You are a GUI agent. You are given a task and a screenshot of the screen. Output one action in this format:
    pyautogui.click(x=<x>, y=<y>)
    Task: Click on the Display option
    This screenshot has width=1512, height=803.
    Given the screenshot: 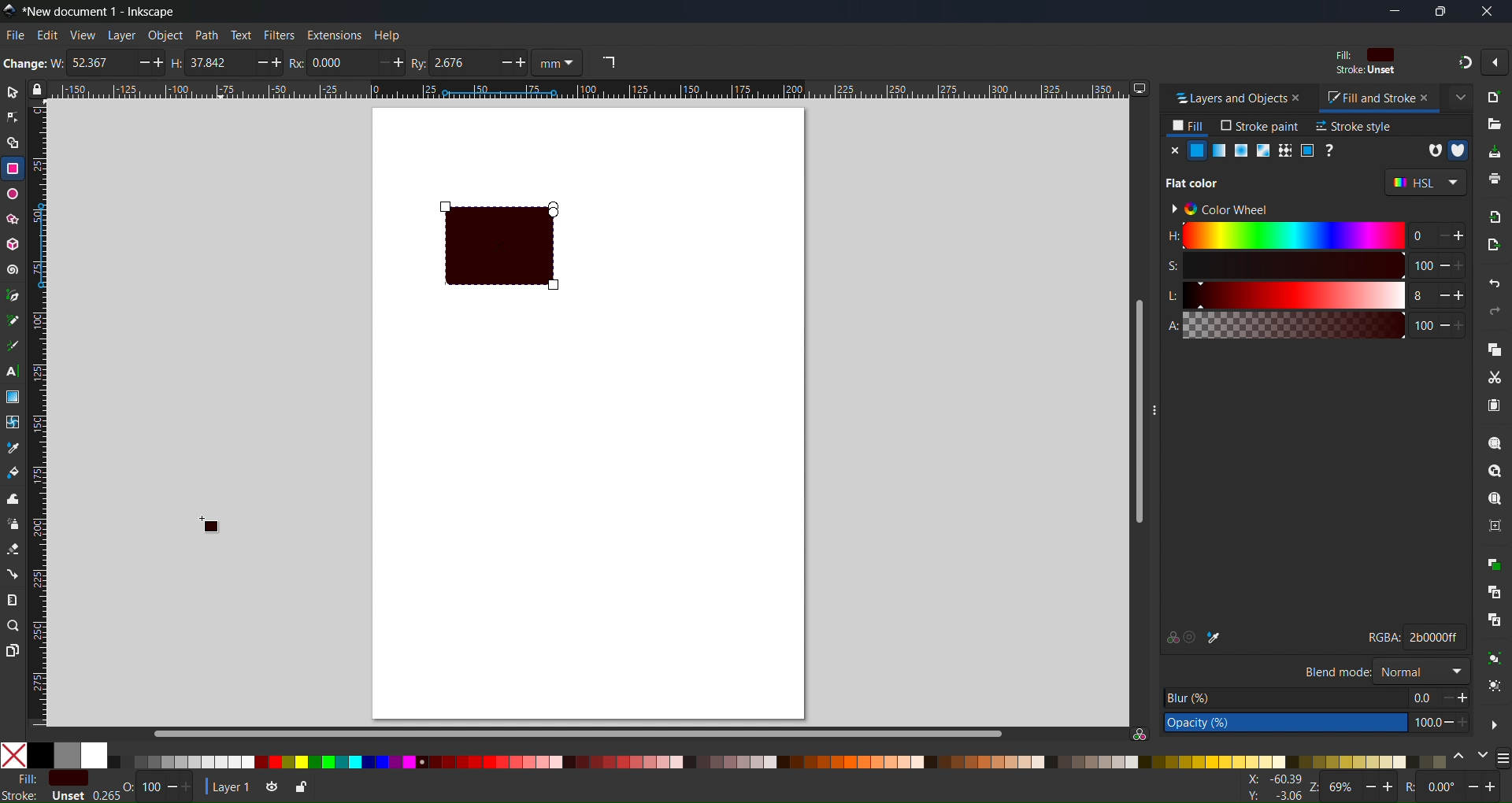 What is the action you would take?
    pyautogui.click(x=1140, y=88)
    